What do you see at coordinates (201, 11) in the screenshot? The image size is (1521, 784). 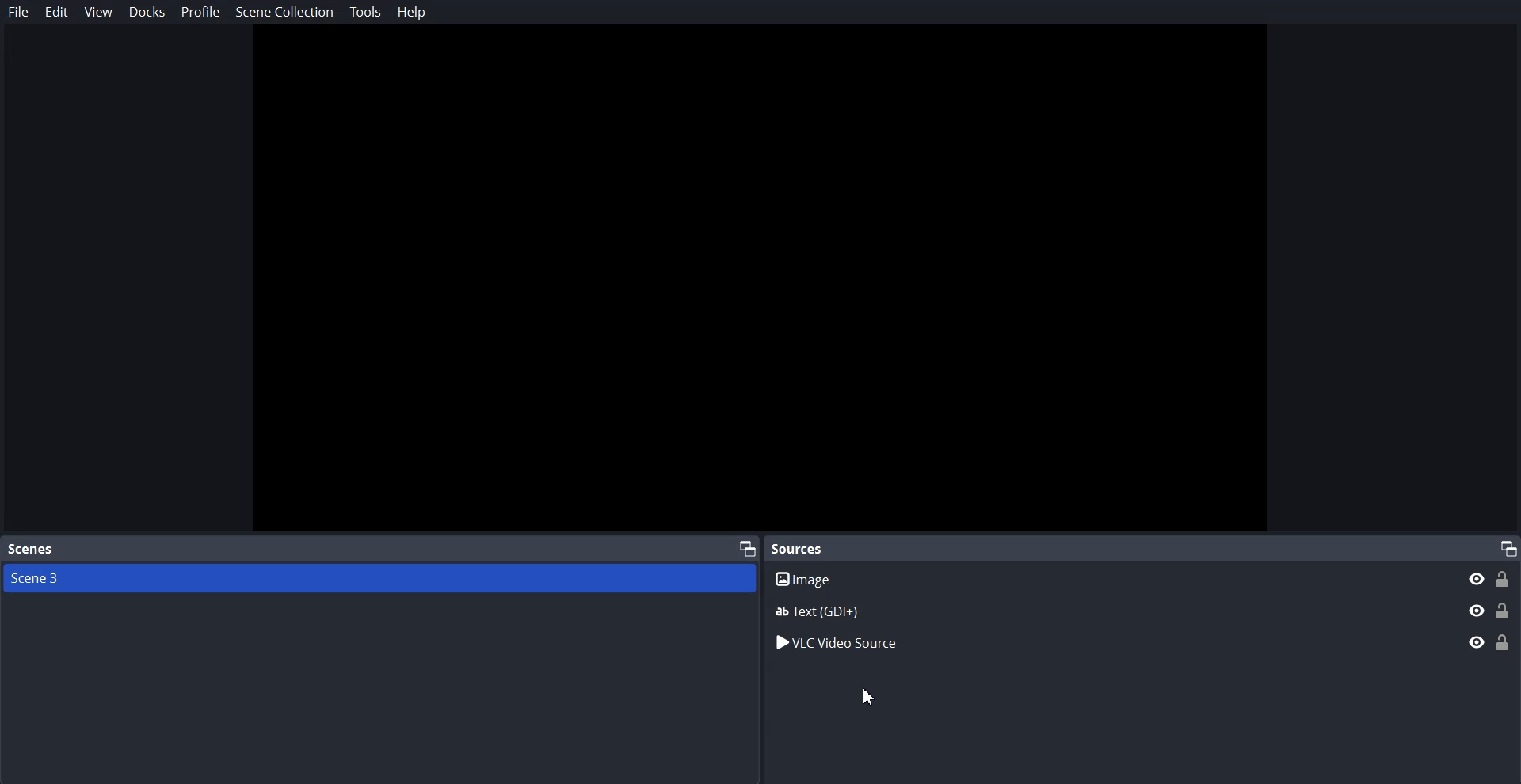 I see `Profile` at bounding box center [201, 11].